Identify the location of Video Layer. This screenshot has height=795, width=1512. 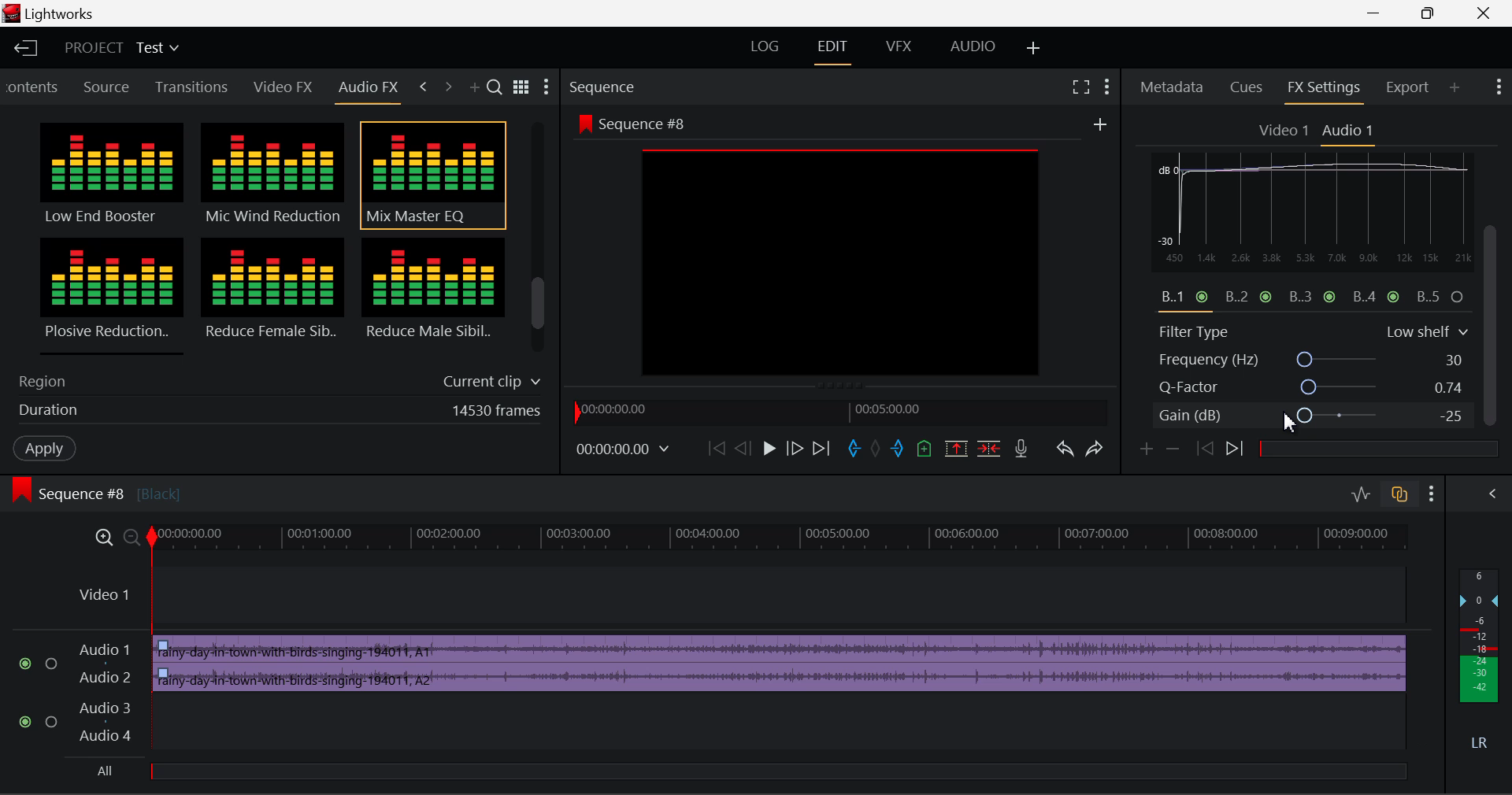
(737, 597).